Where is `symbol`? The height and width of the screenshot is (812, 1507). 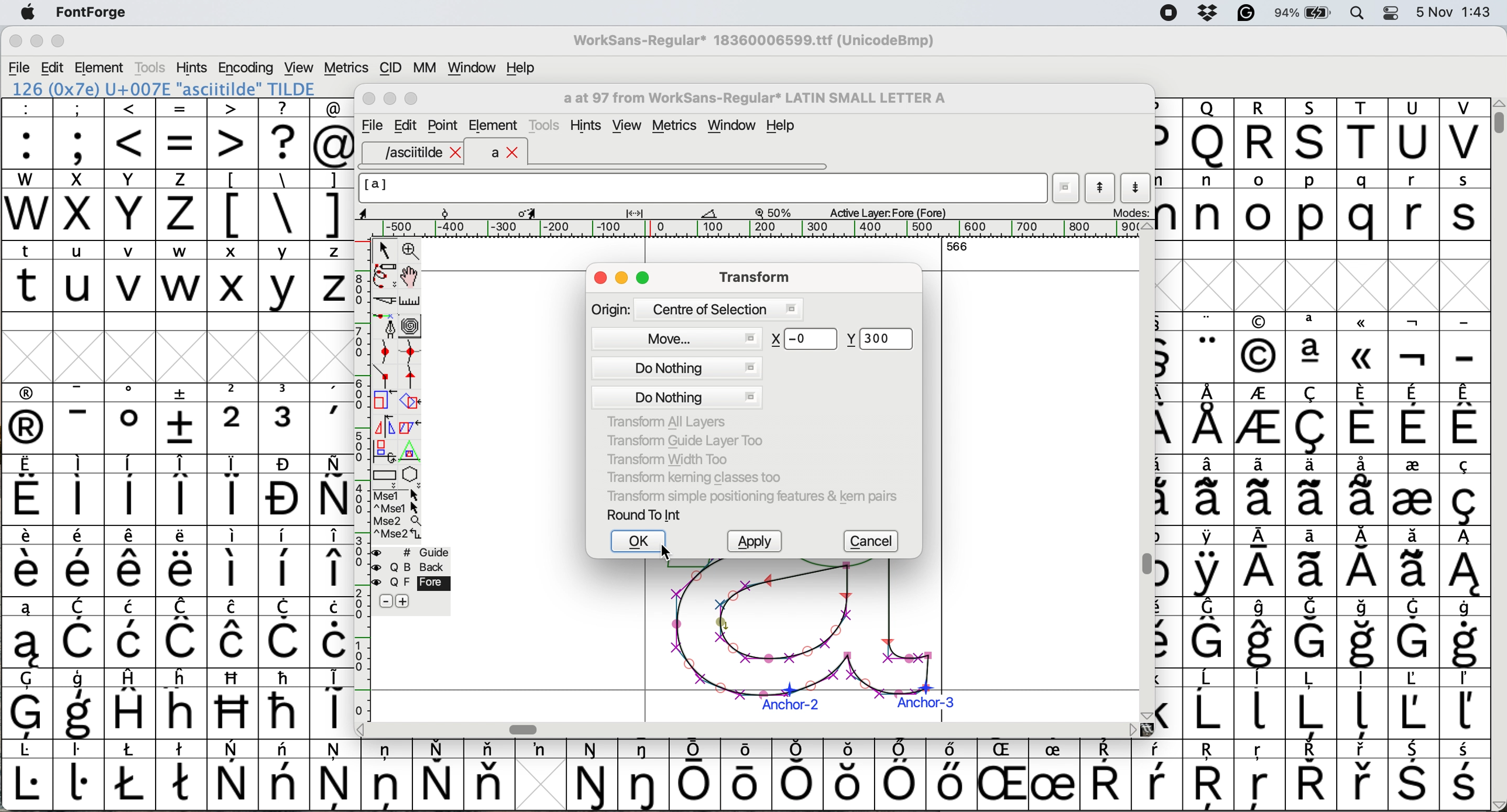 symbol is located at coordinates (78, 490).